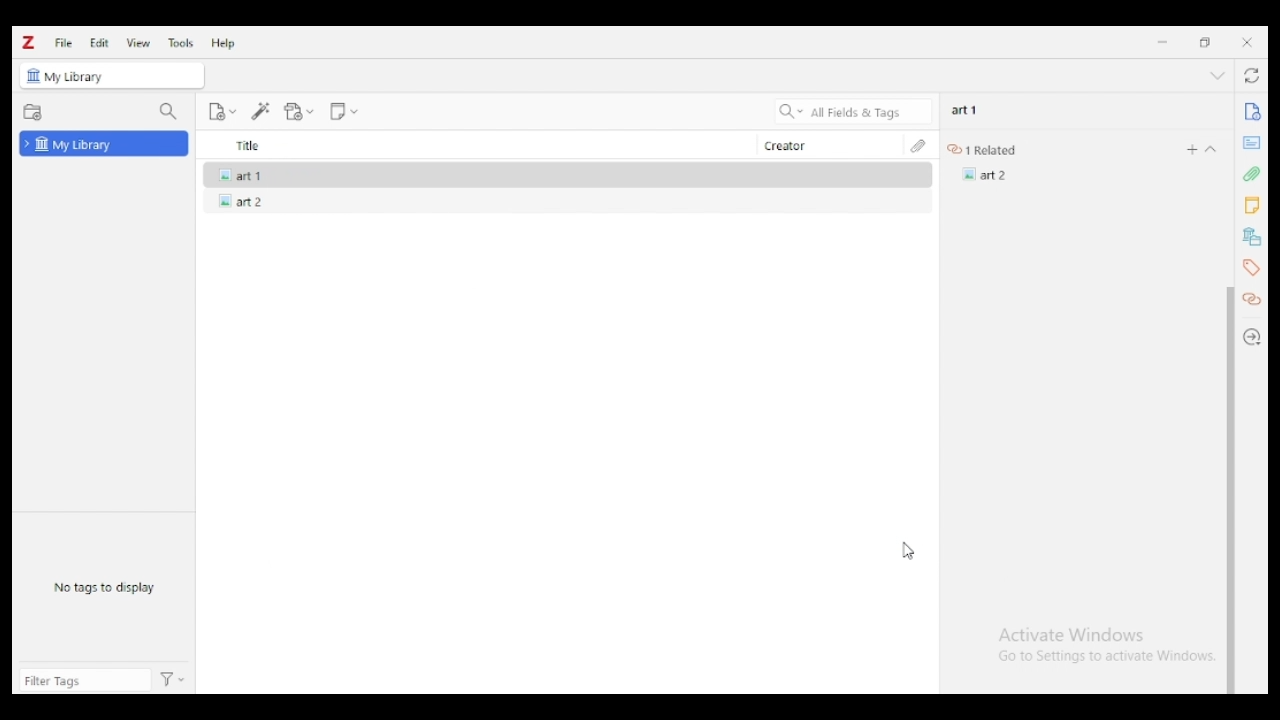 The image size is (1280, 720). Describe the element at coordinates (104, 143) in the screenshot. I see `my library` at that location.